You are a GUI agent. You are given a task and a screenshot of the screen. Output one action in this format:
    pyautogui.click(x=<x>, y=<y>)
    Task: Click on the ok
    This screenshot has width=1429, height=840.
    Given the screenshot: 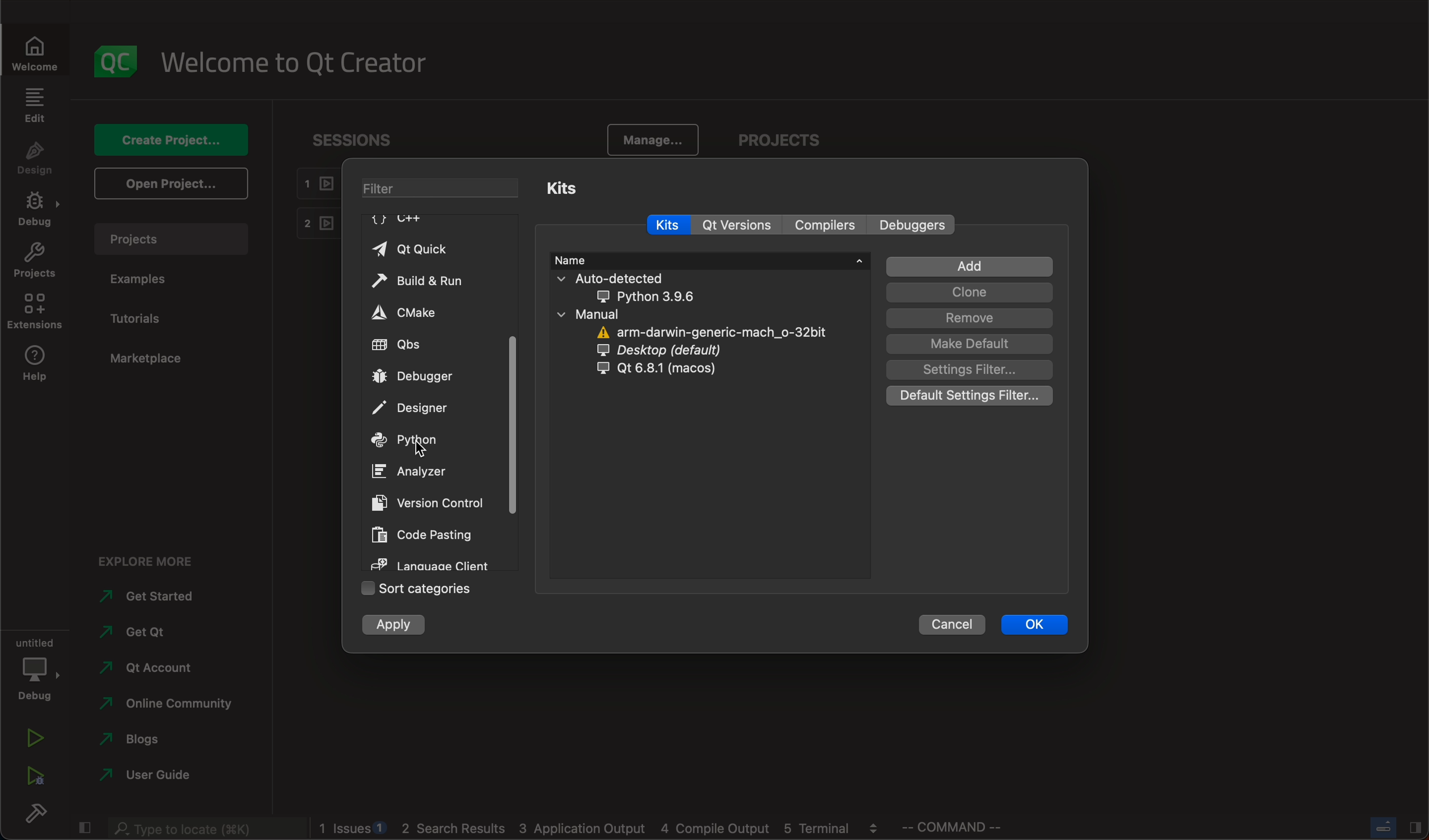 What is the action you would take?
    pyautogui.click(x=1037, y=622)
    